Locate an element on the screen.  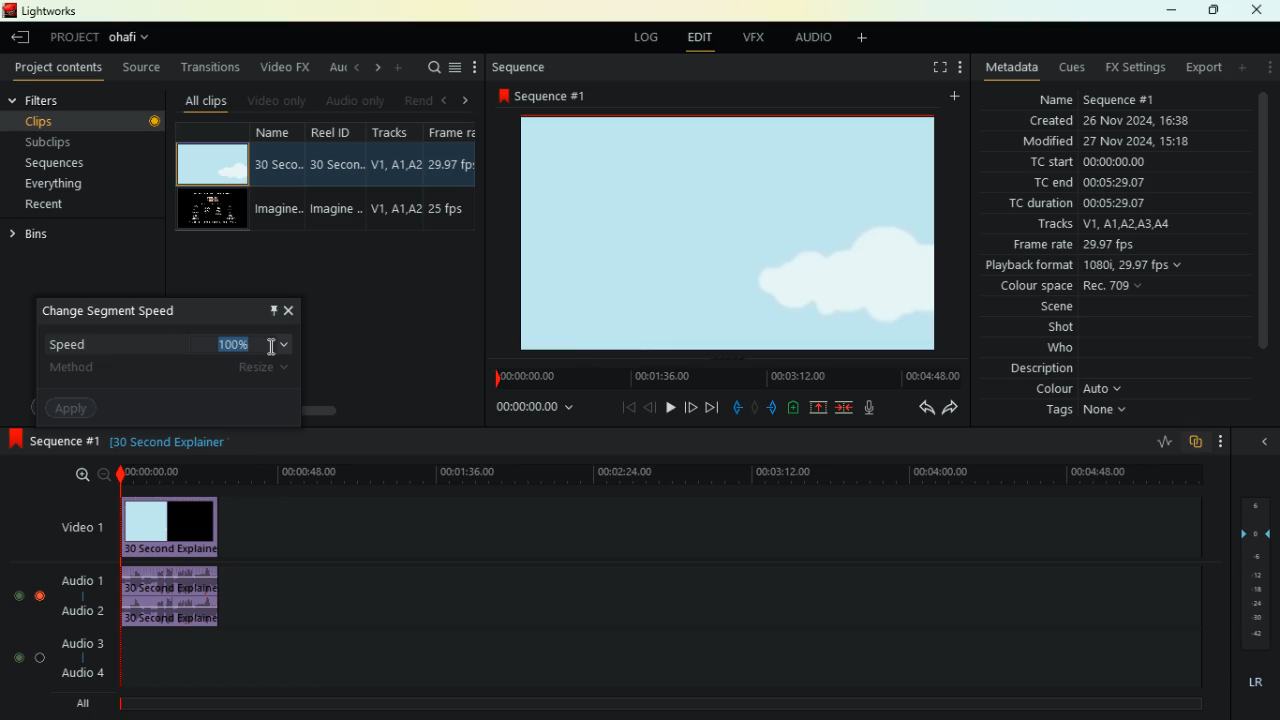
colour space is located at coordinates (1071, 287).